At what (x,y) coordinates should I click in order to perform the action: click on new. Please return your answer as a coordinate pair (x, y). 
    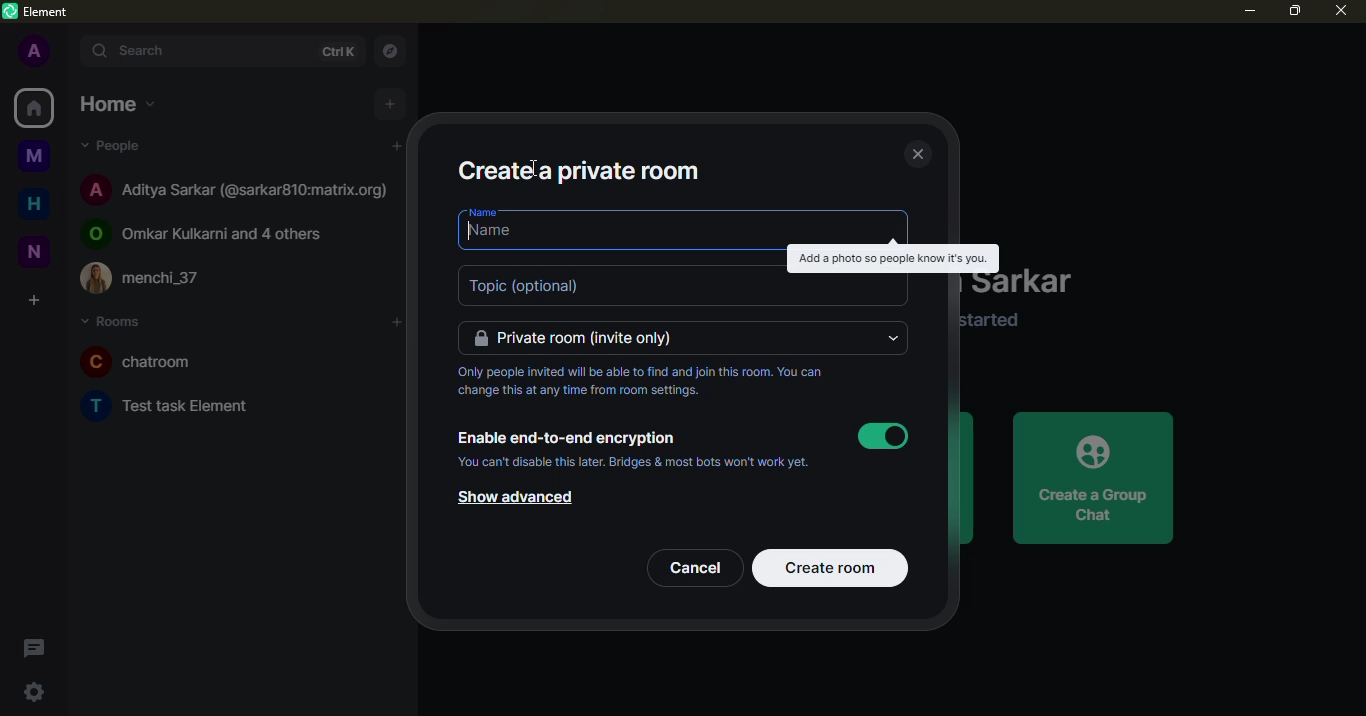
    Looking at the image, I should click on (35, 251).